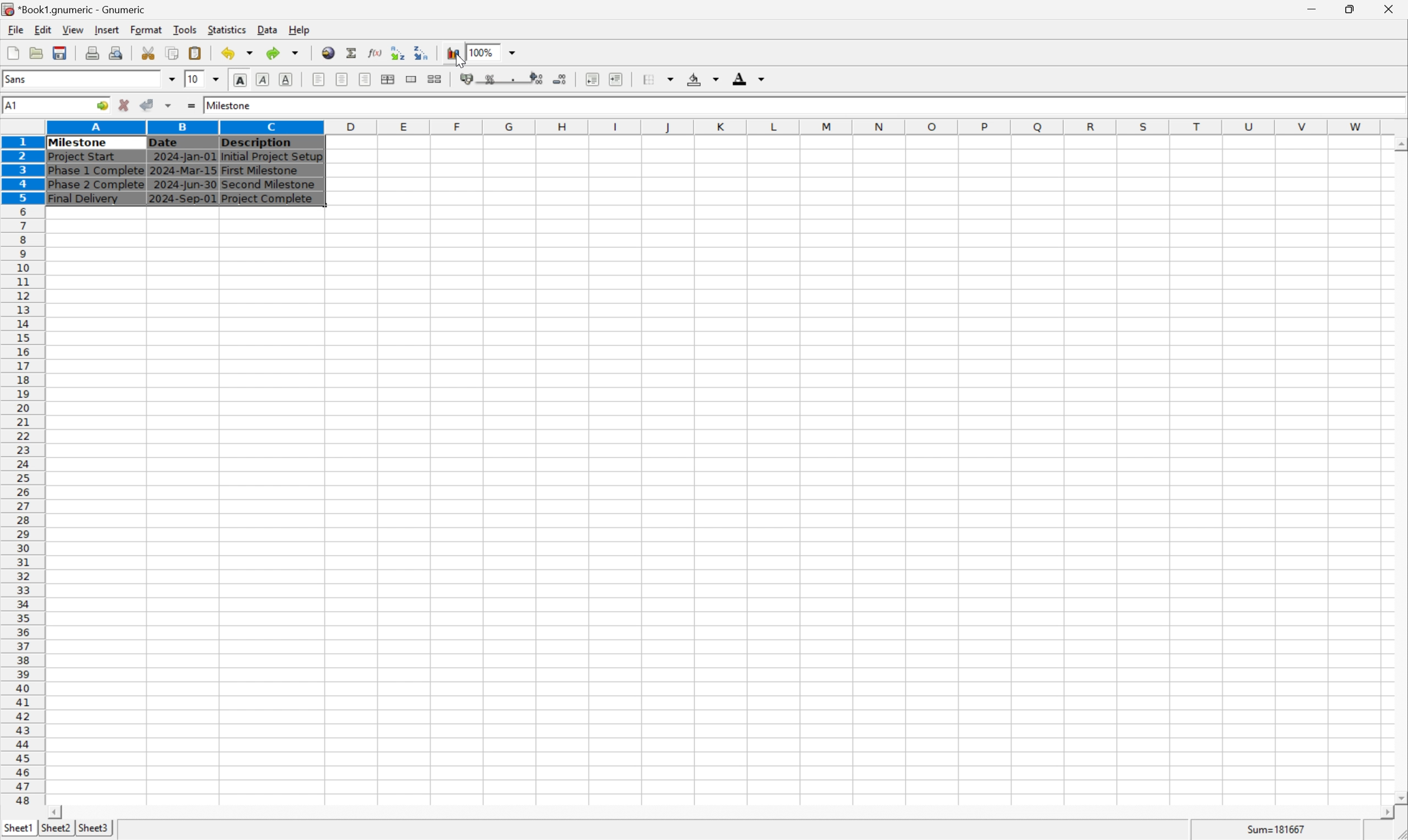  What do you see at coordinates (192, 79) in the screenshot?
I see `10` at bounding box center [192, 79].